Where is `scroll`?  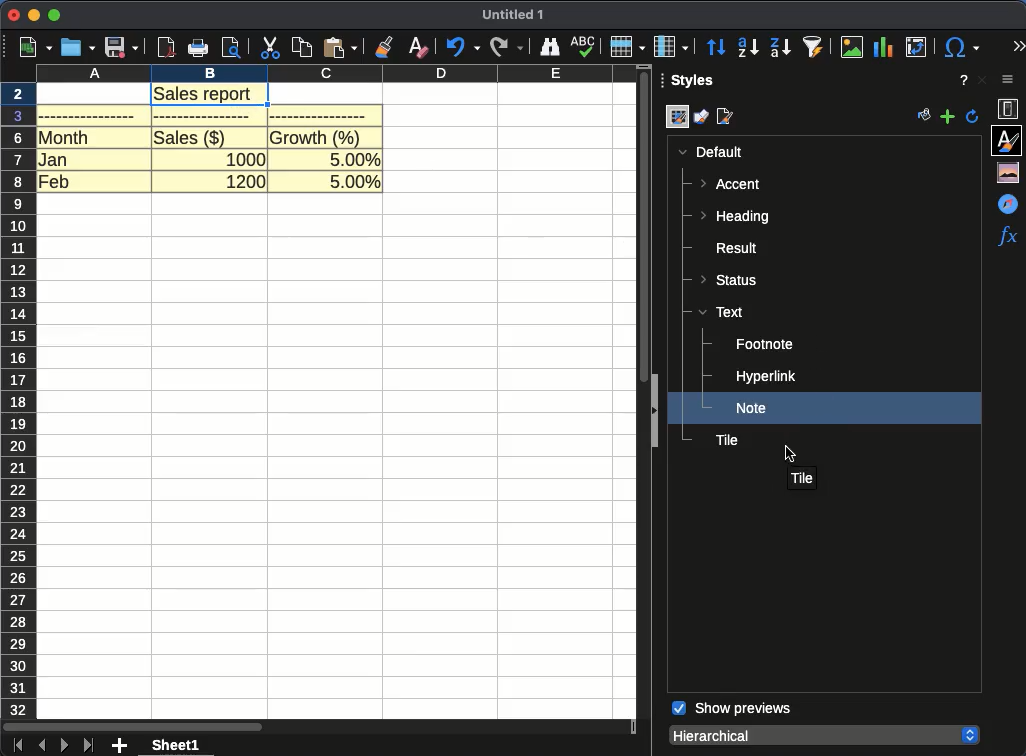 scroll is located at coordinates (318, 728).